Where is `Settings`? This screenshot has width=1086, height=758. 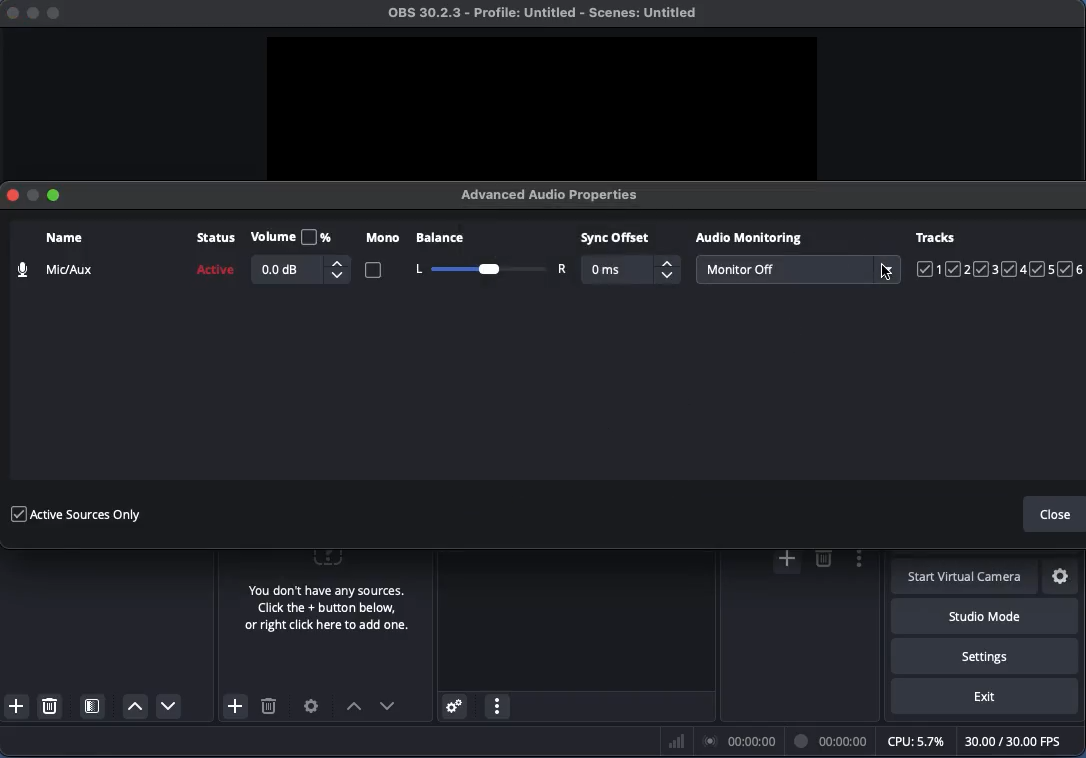
Settings is located at coordinates (312, 706).